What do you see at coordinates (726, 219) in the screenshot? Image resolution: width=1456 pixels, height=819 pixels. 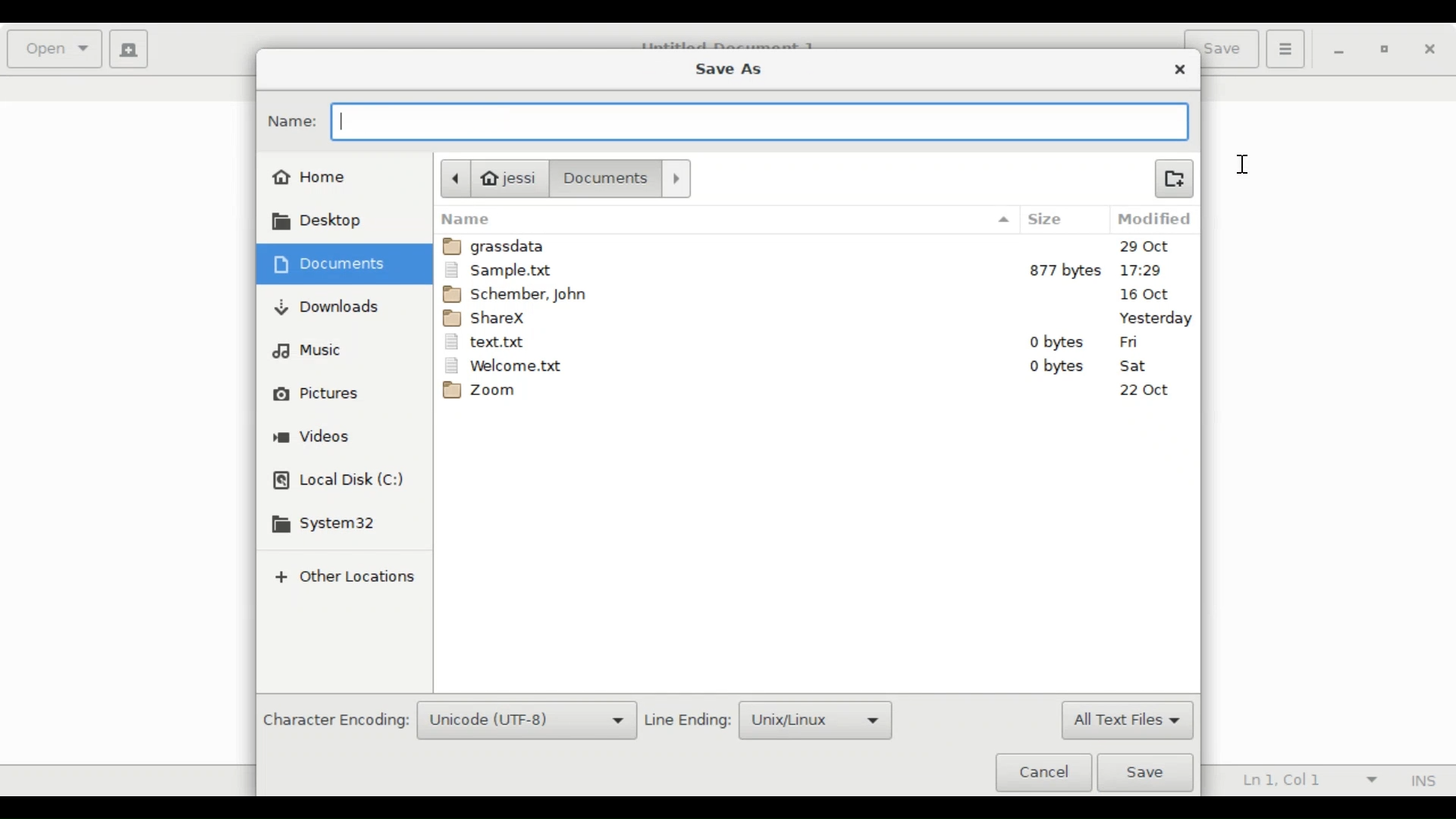 I see `Name` at bounding box center [726, 219].